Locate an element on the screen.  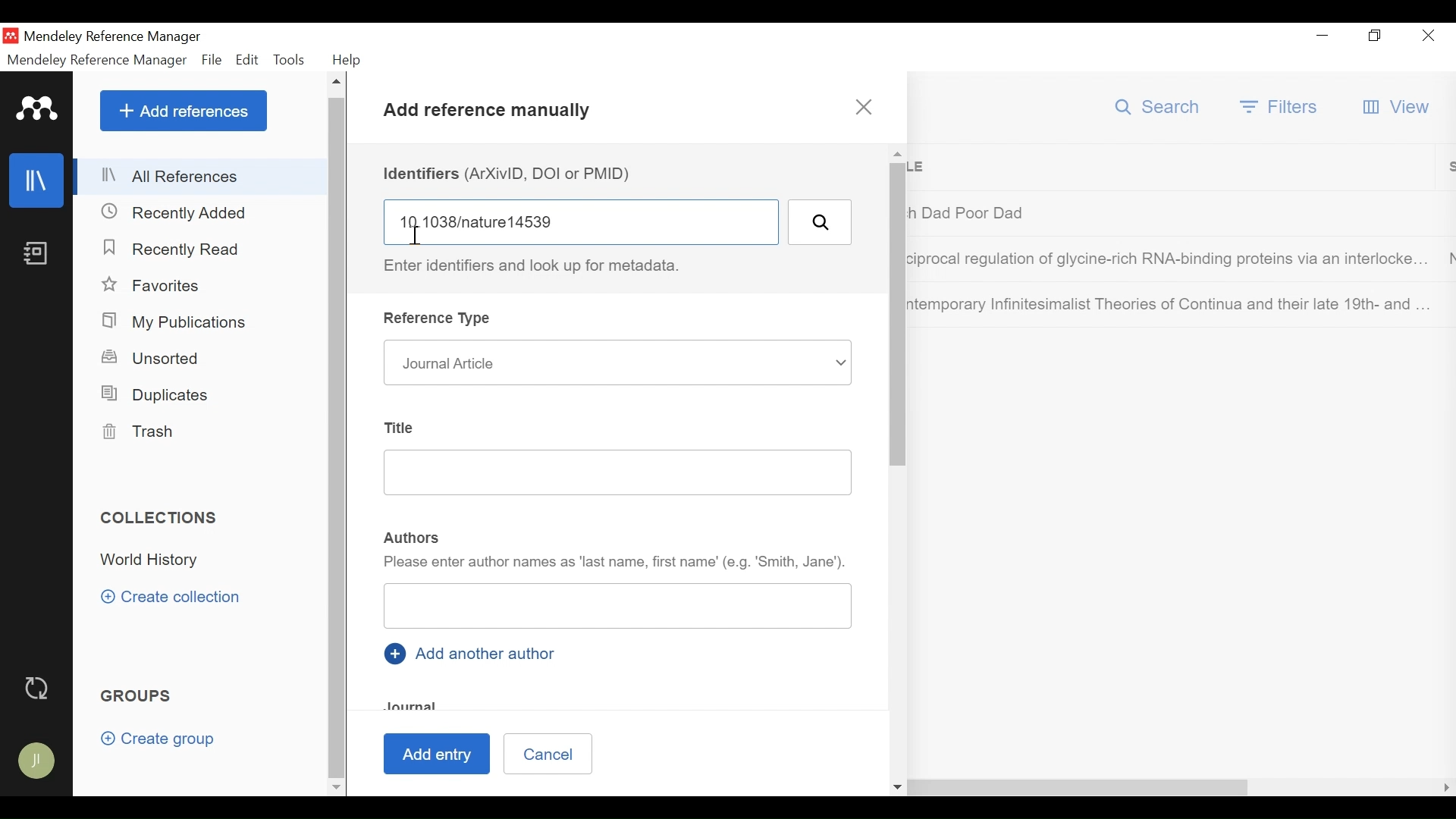
insertion cursor is located at coordinates (413, 233).